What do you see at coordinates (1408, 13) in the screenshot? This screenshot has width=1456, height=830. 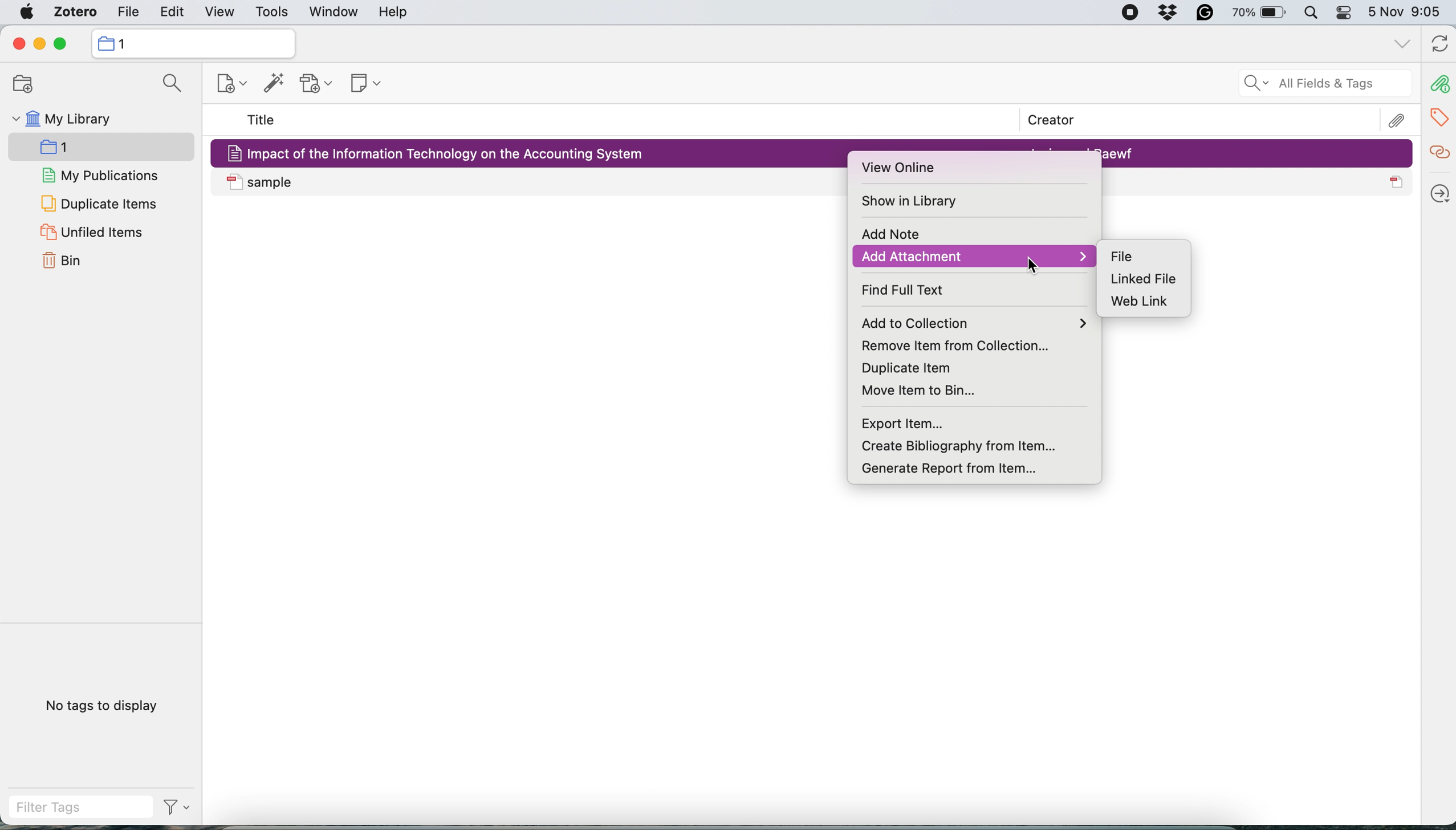 I see `5 Nov 9:05` at bounding box center [1408, 13].